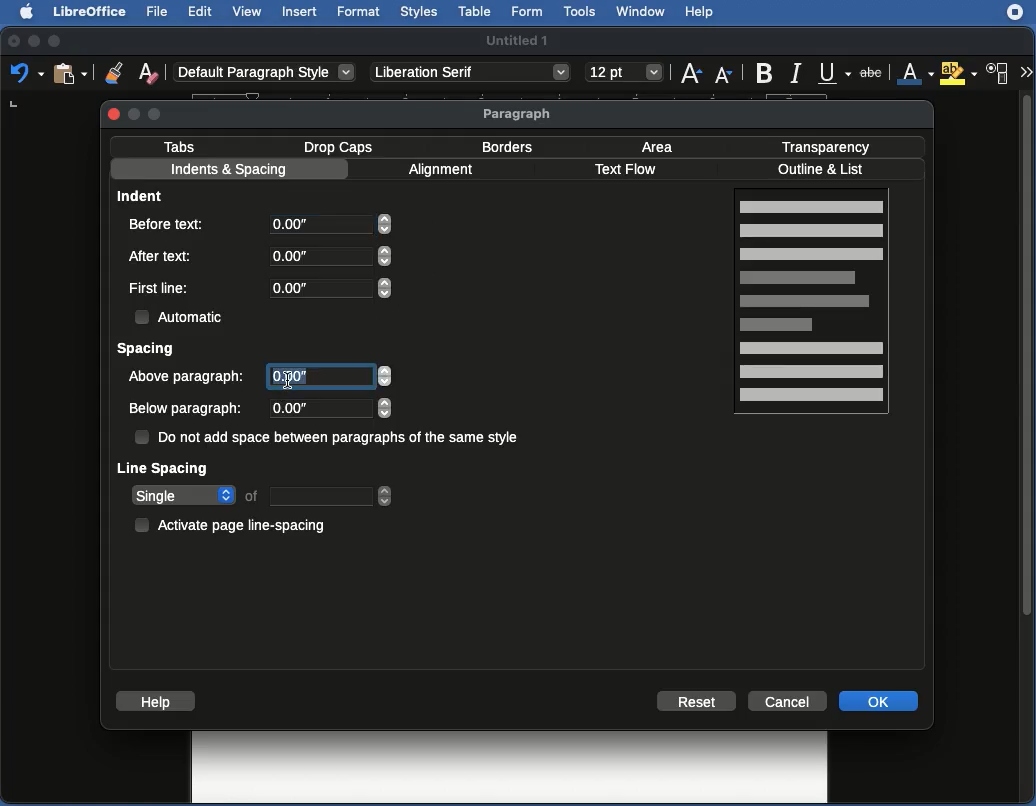 Image resolution: width=1036 pixels, height=806 pixels. Describe the element at coordinates (149, 72) in the screenshot. I see `Clear ` at that location.